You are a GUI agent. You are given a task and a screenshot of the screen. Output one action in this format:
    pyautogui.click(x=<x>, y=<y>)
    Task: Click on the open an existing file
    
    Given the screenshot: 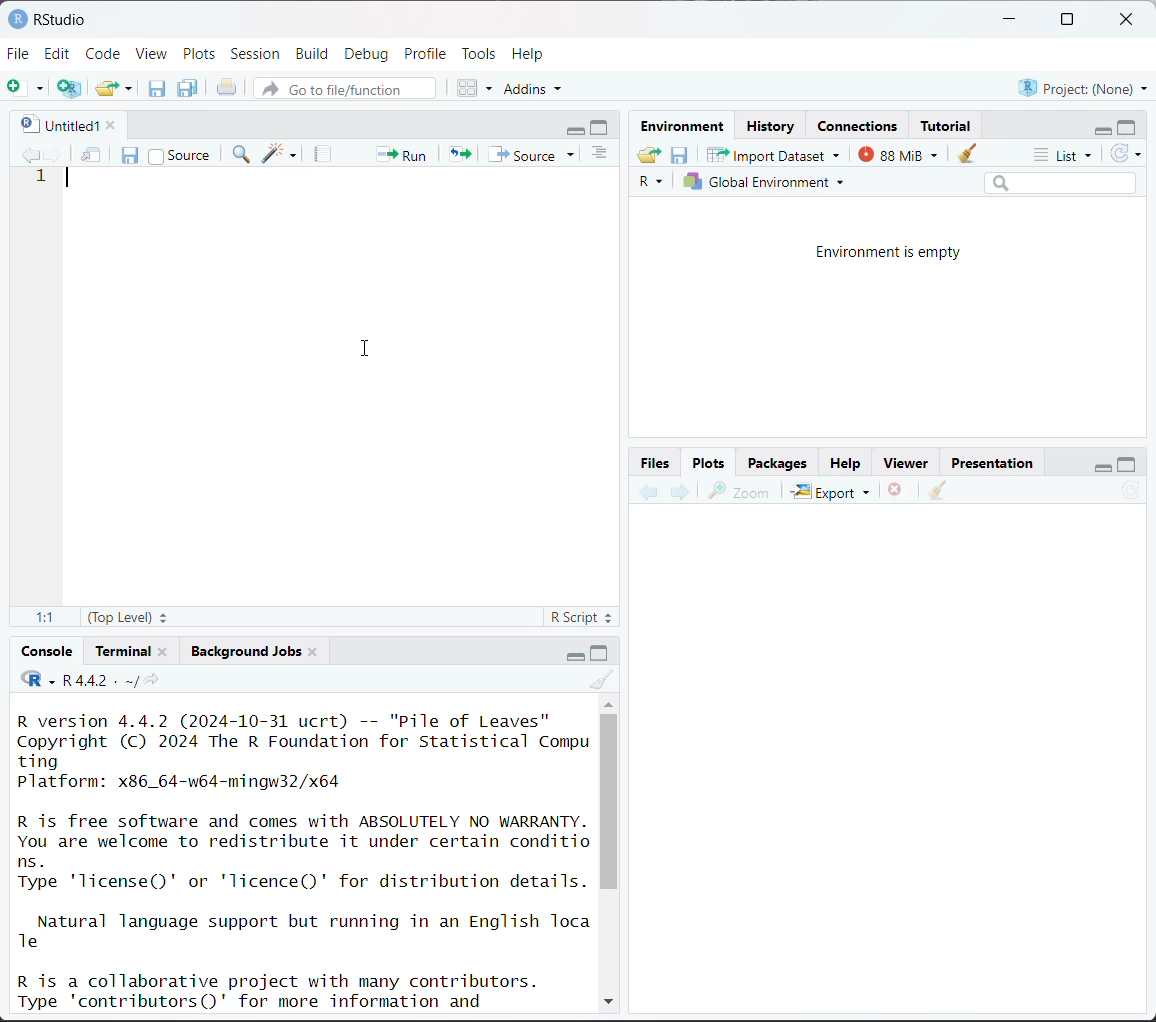 What is the action you would take?
    pyautogui.click(x=107, y=85)
    